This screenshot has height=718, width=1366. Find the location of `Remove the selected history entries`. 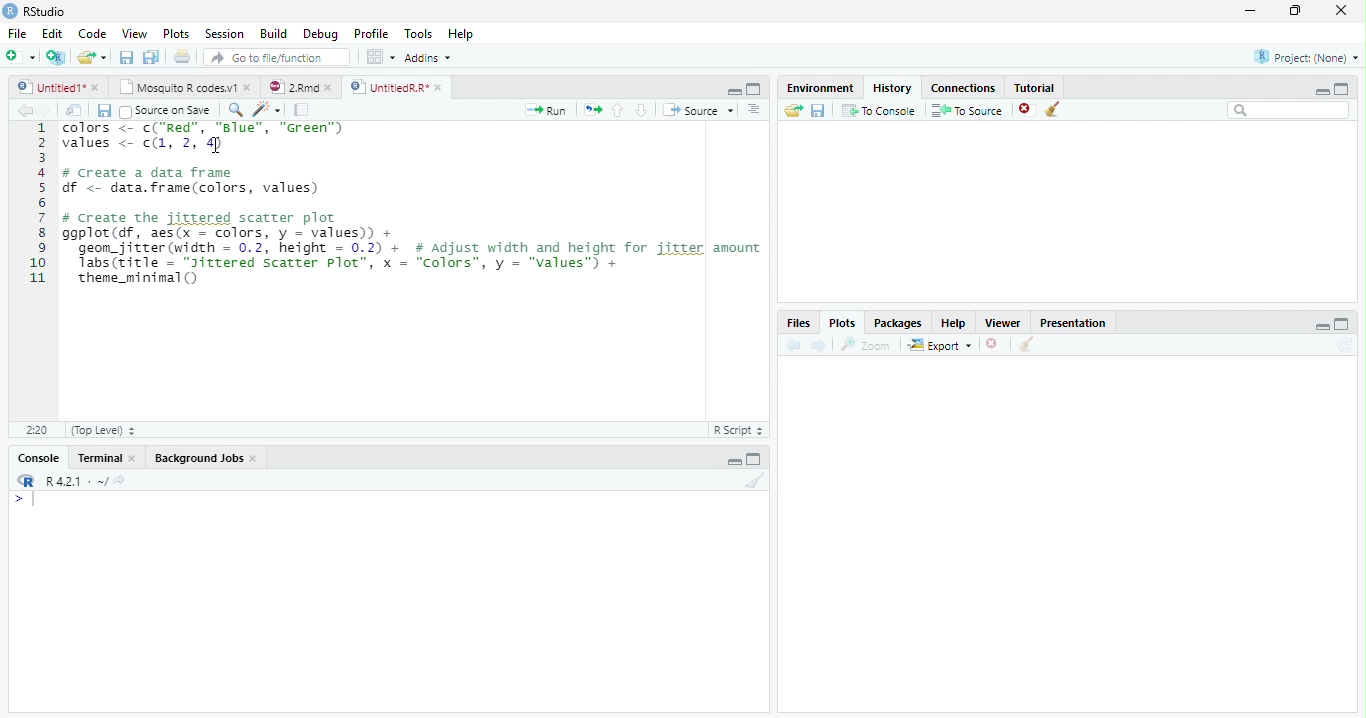

Remove the selected history entries is located at coordinates (1027, 110).